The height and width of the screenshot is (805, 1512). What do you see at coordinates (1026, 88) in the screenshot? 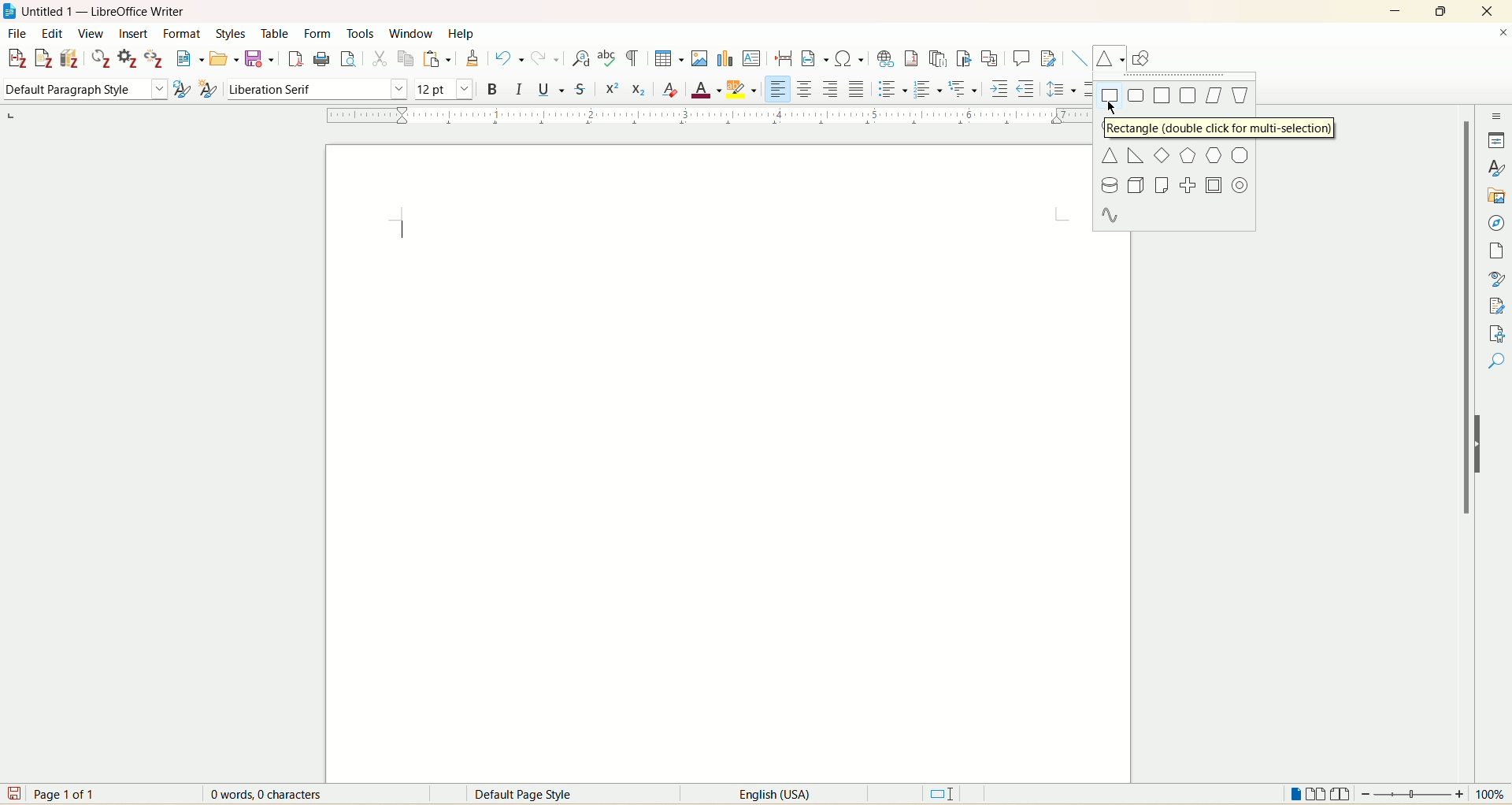
I see `decrease indent` at bounding box center [1026, 88].